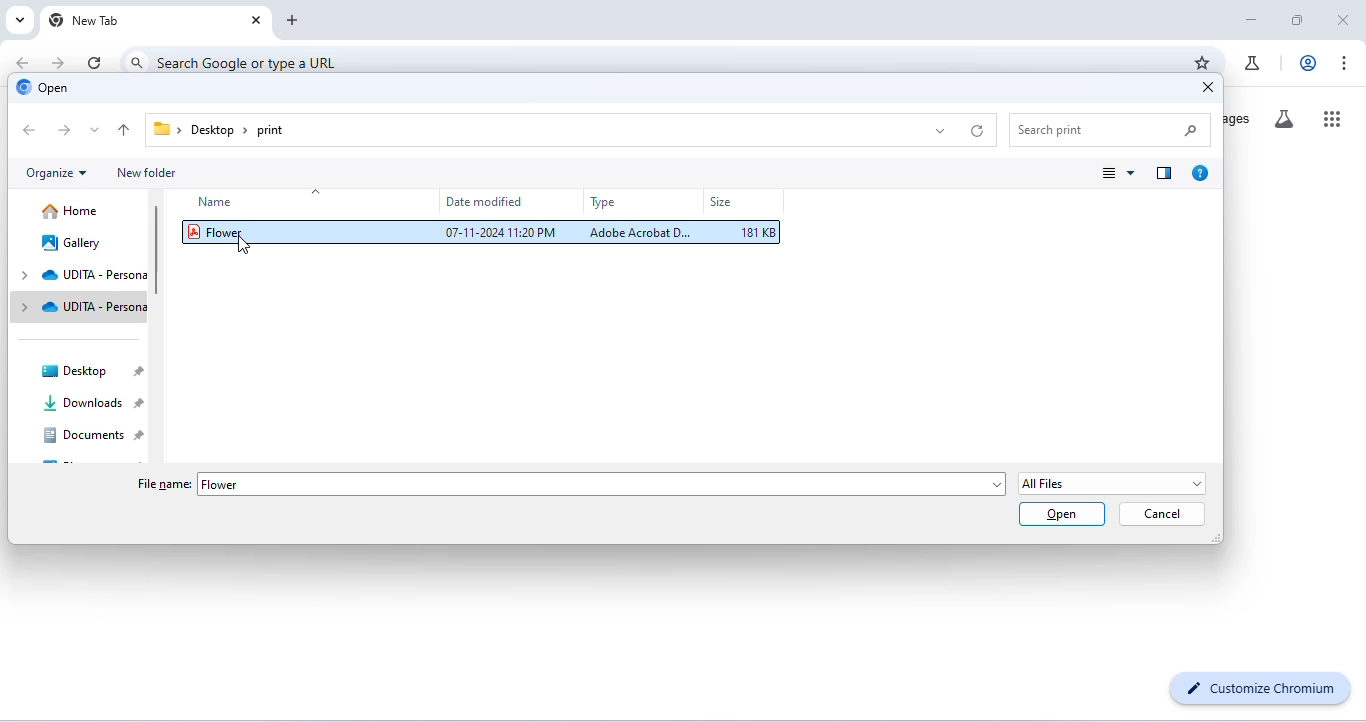 The image size is (1366, 722). I want to click on add bookmarks, so click(1200, 63).